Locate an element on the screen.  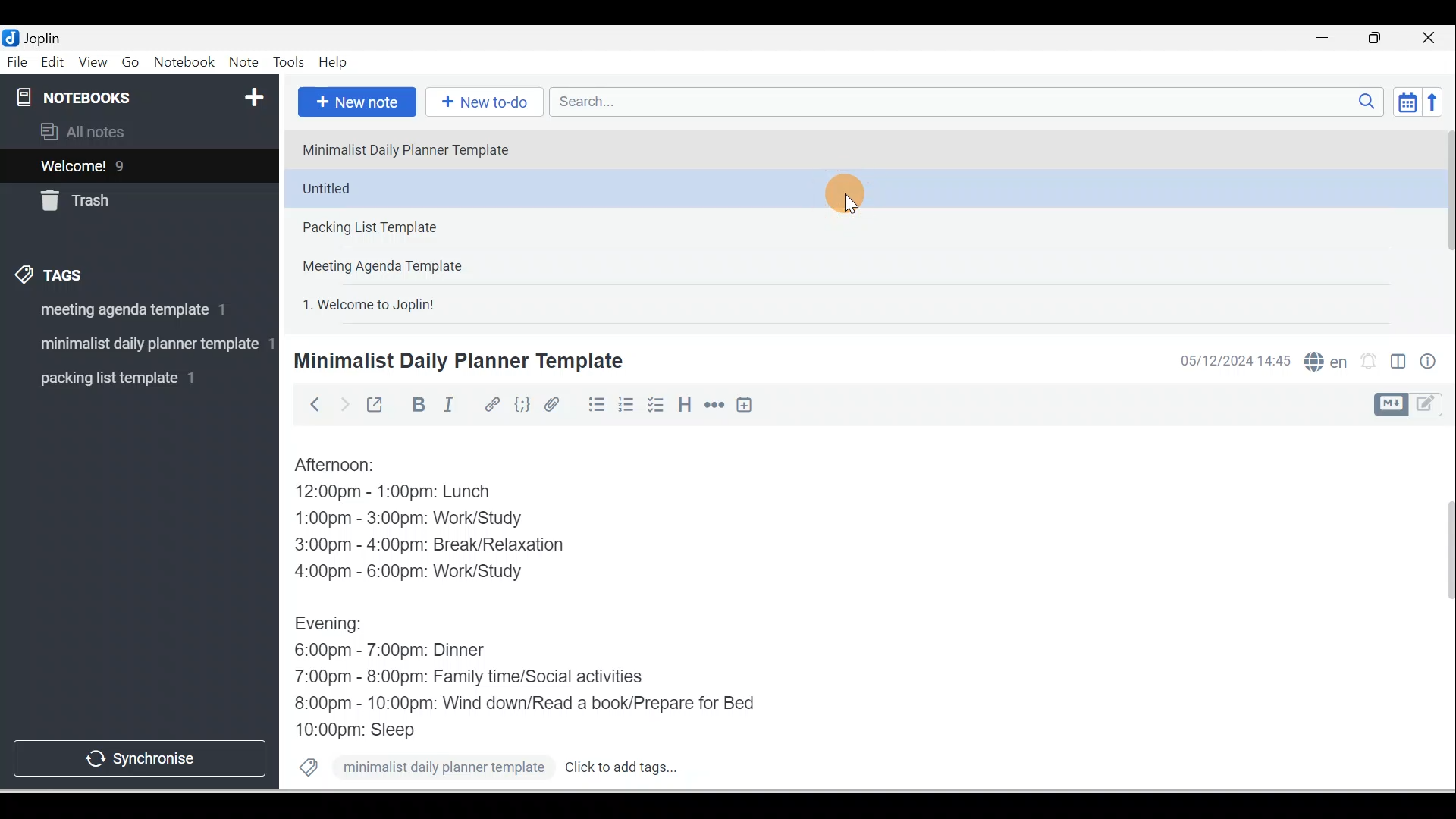
Notebook is located at coordinates (184, 63).